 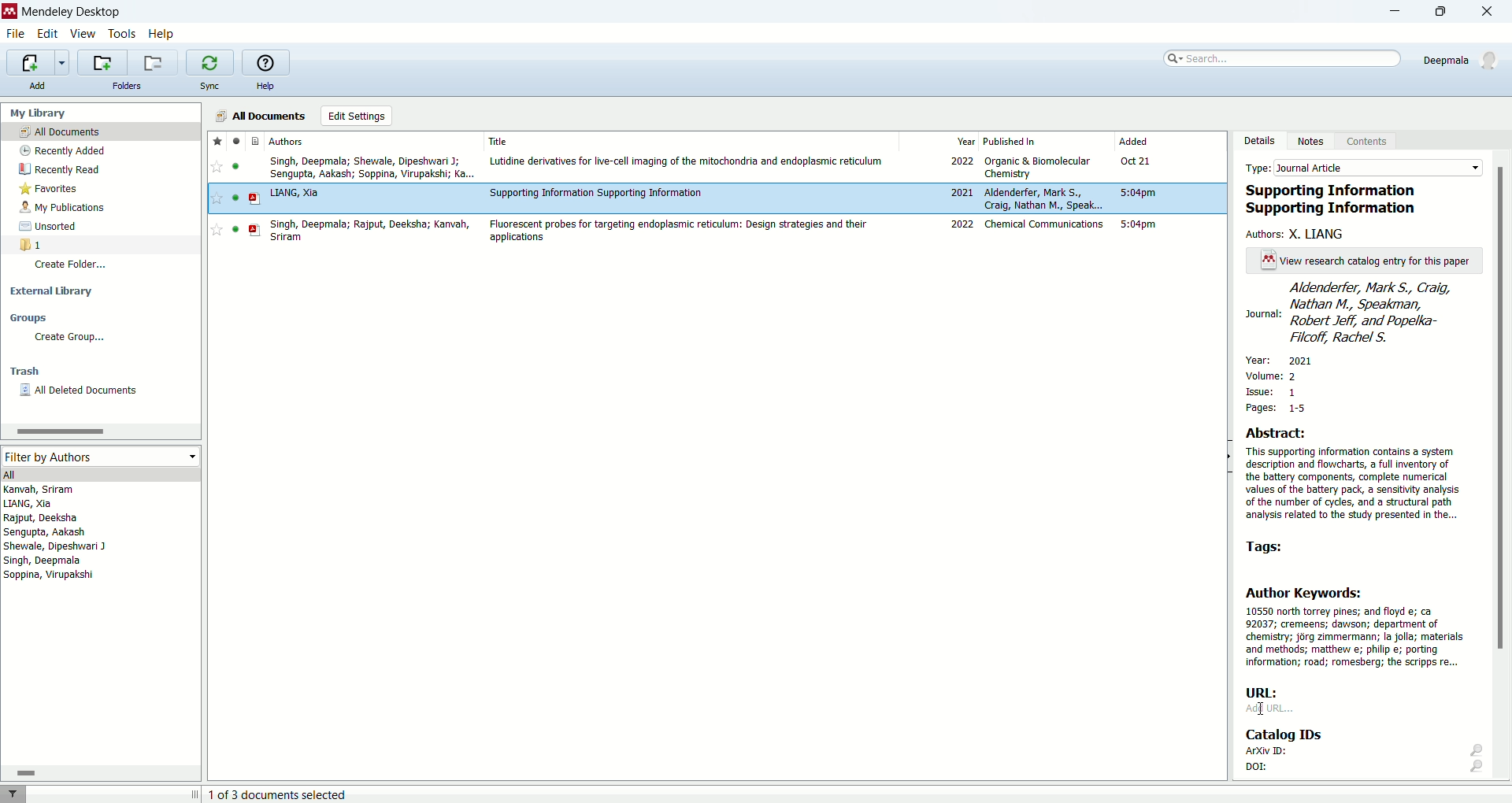 What do you see at coordinates (195, 794) in the screenshot?
I see `toggle expand/contract` at bounding box center [195, 794].